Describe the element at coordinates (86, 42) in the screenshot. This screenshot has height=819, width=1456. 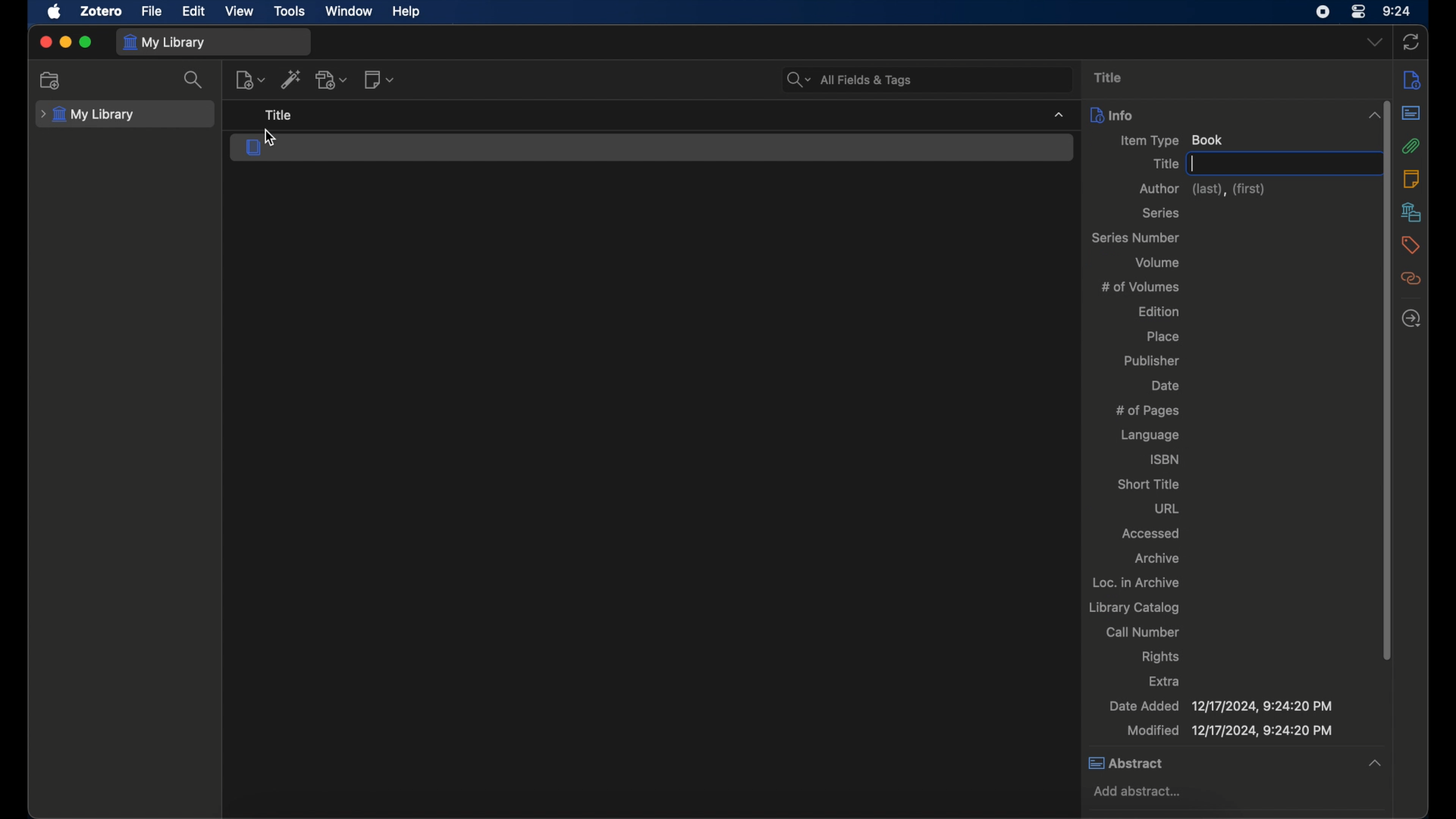
I see `maximize` at that location.